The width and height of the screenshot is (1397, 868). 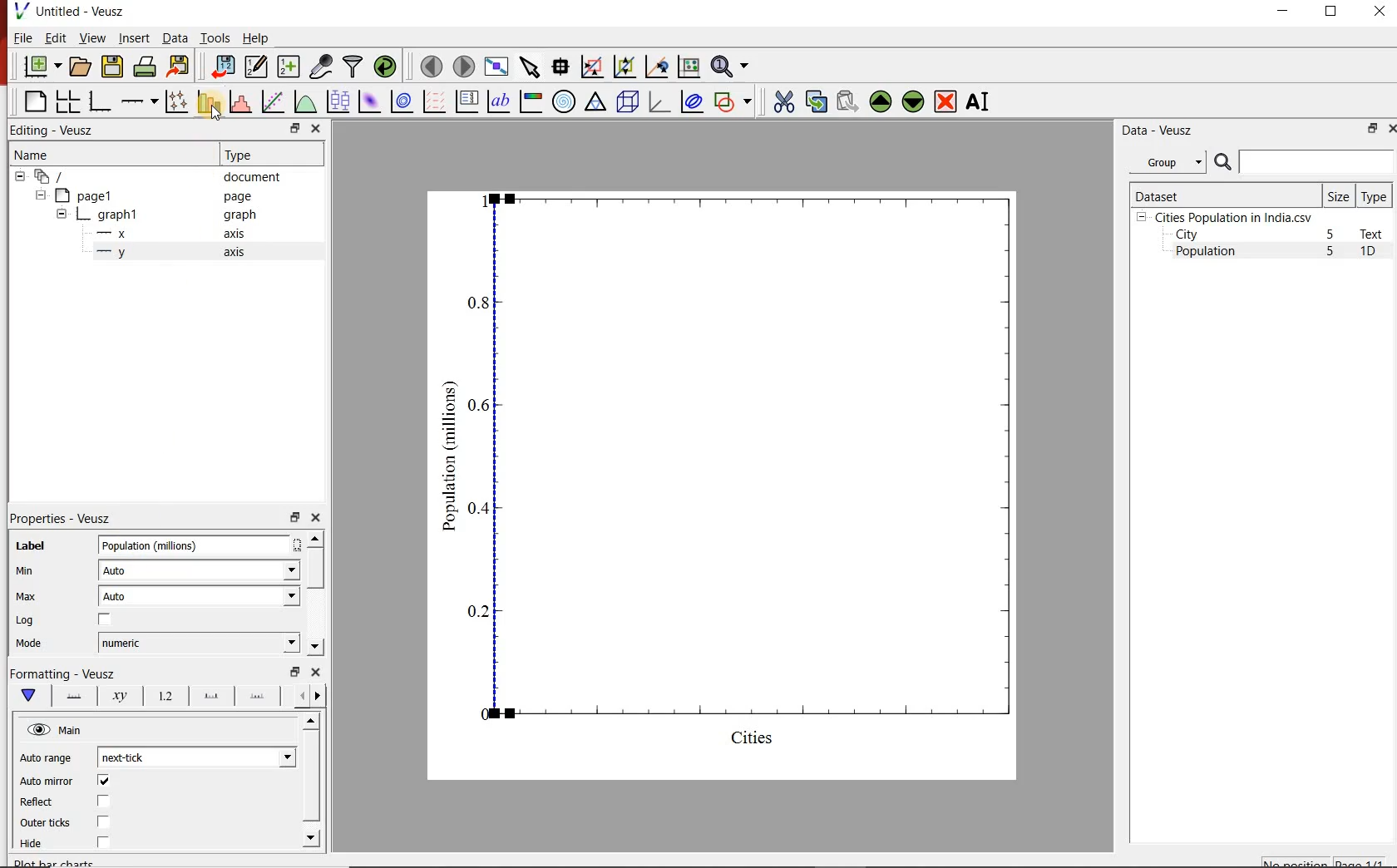 I want to click on Text, so click(x=1375, y=234).